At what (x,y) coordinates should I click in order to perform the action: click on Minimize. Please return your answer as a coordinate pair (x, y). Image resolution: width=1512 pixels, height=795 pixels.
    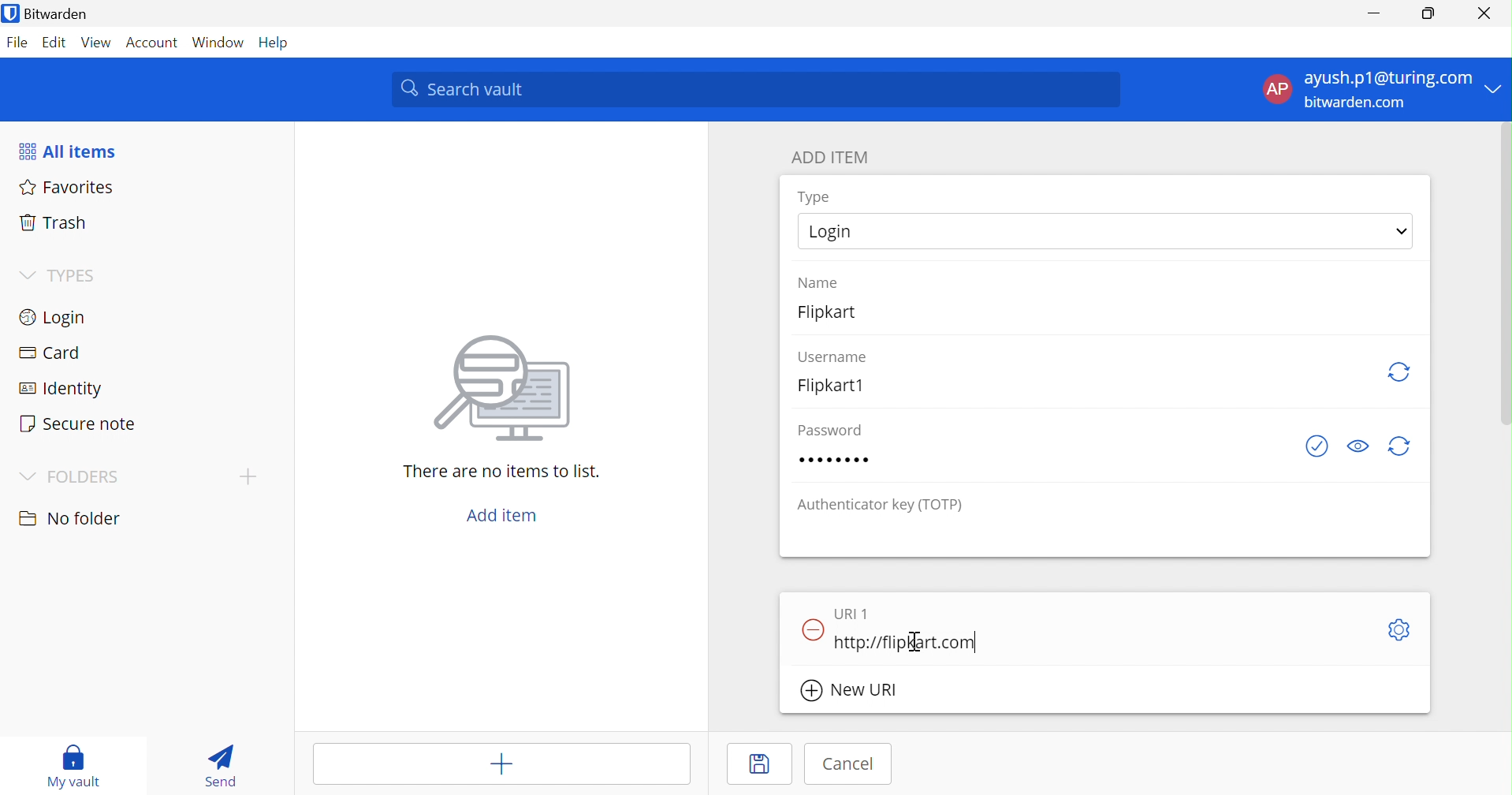
    Looking at the image, I should click on (1371, 13).